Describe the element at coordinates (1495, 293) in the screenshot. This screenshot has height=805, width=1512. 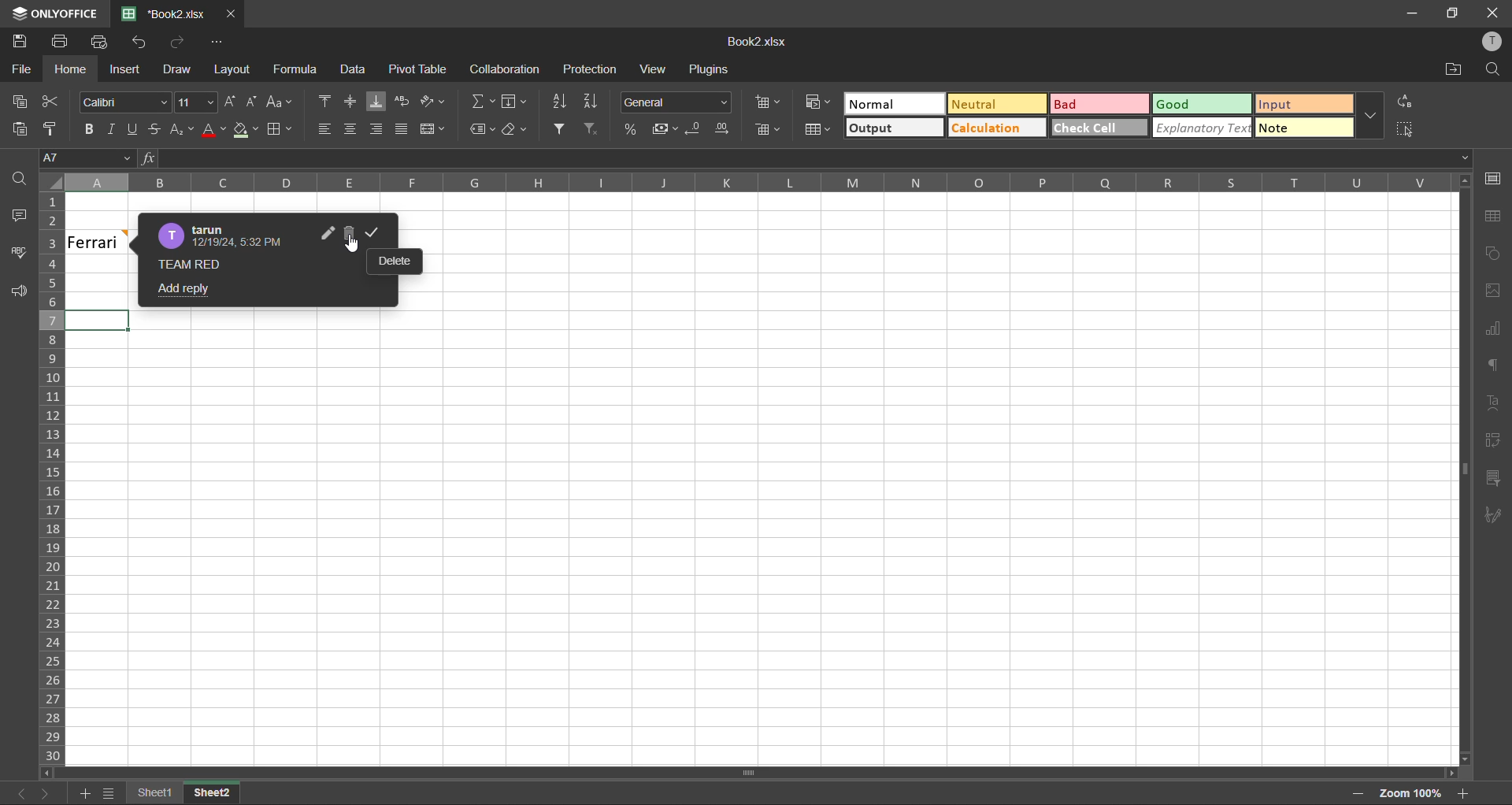
I see `images` at that location.